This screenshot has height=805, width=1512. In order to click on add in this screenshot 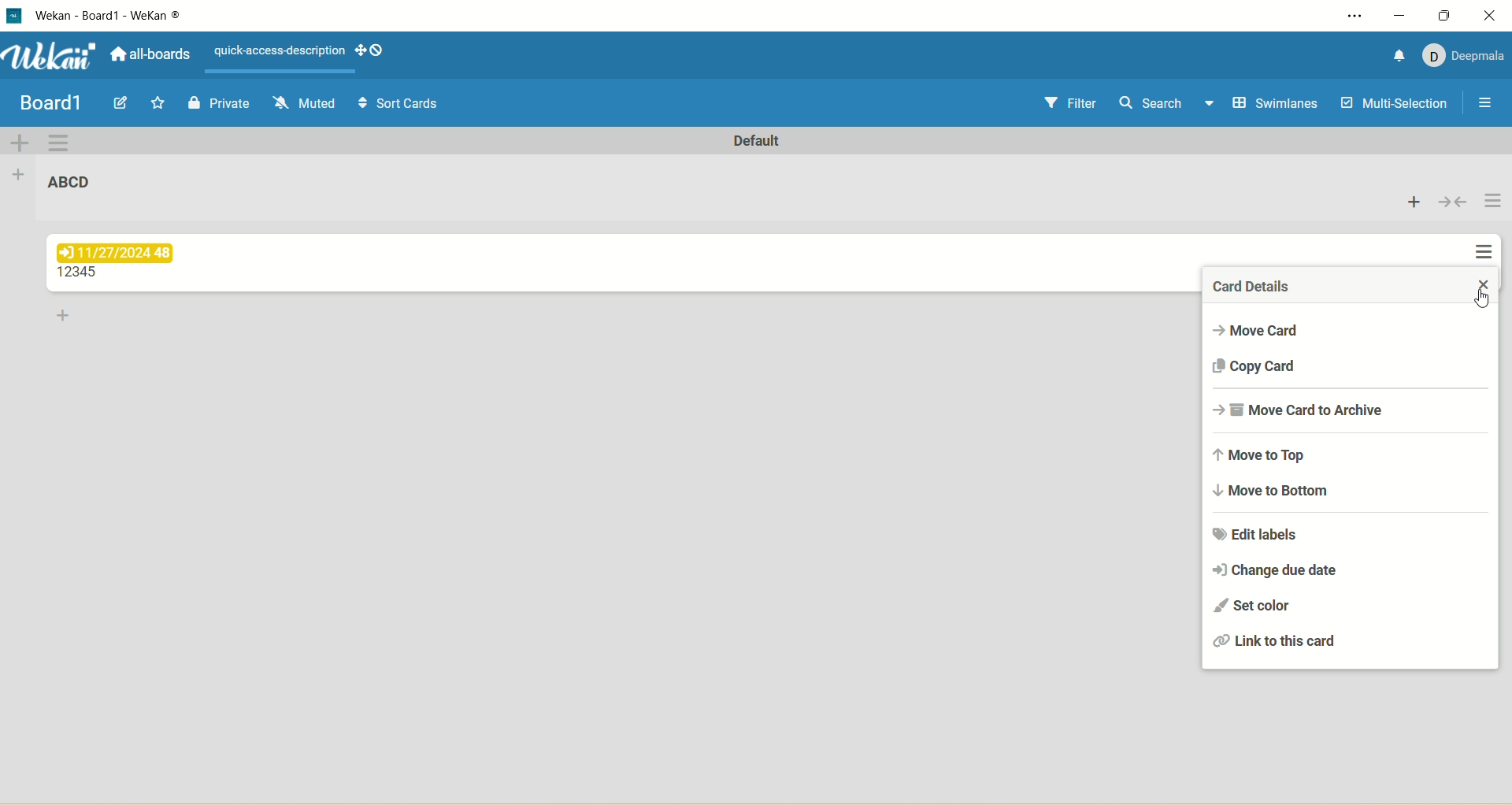, I will do `click(1415, 201)`.